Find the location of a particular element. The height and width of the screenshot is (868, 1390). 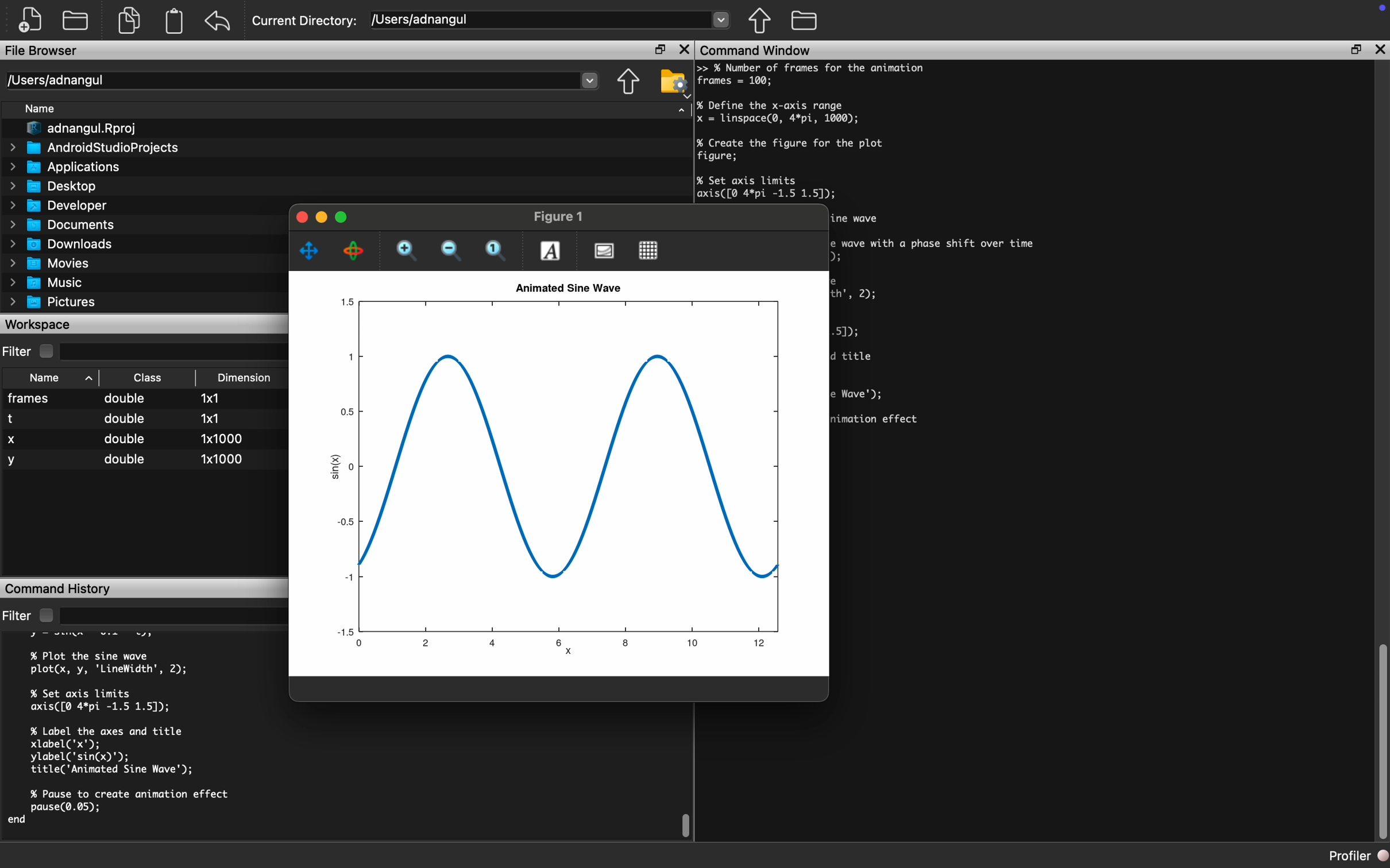

 Number of frames for the animation)Fras = 100; is located at coordinates (820, 76).